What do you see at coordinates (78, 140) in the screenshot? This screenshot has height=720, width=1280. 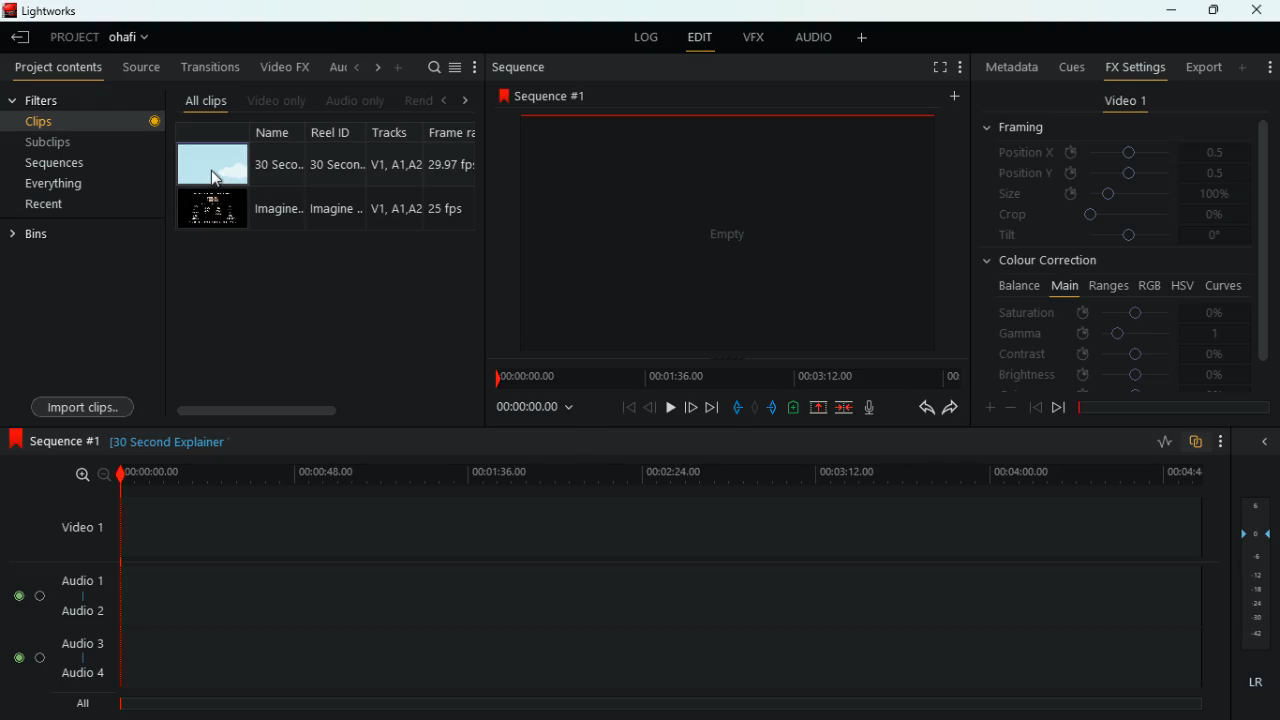 I see `subclips` at bounding box center [78, 140].